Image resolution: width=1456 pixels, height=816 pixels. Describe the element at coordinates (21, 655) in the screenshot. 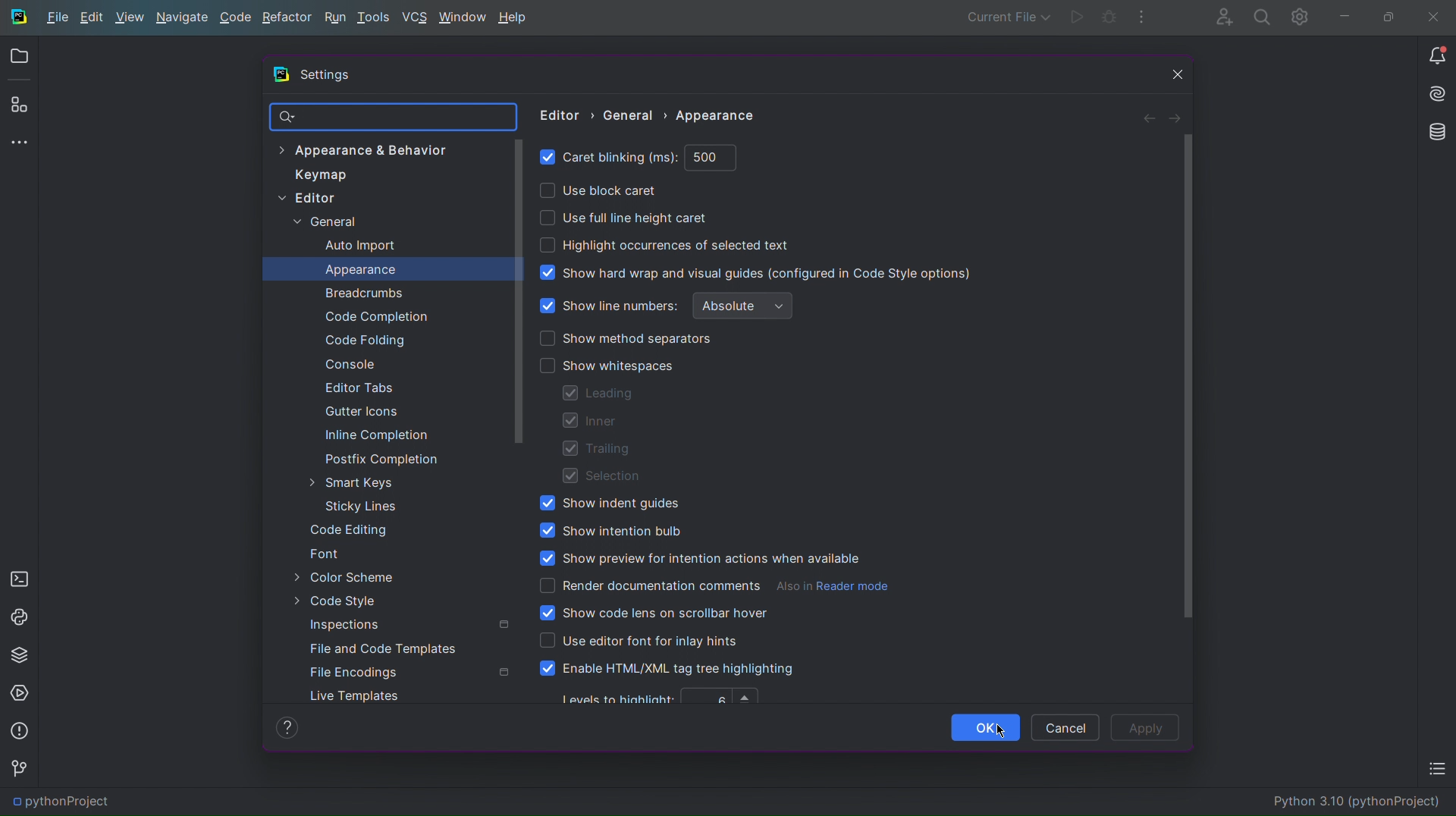

I see `Python Packages` at that location.